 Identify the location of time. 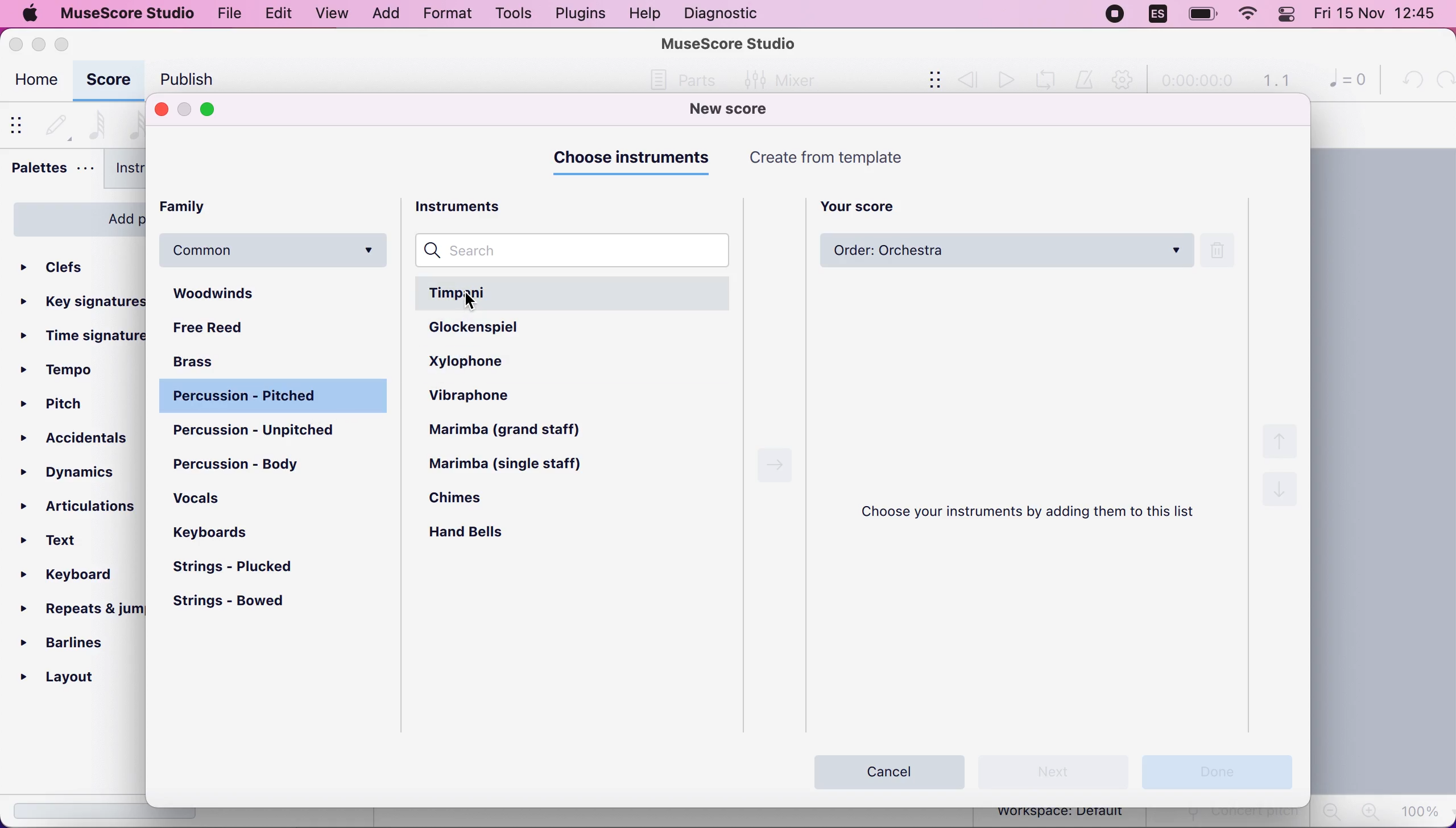
(1196, 82).